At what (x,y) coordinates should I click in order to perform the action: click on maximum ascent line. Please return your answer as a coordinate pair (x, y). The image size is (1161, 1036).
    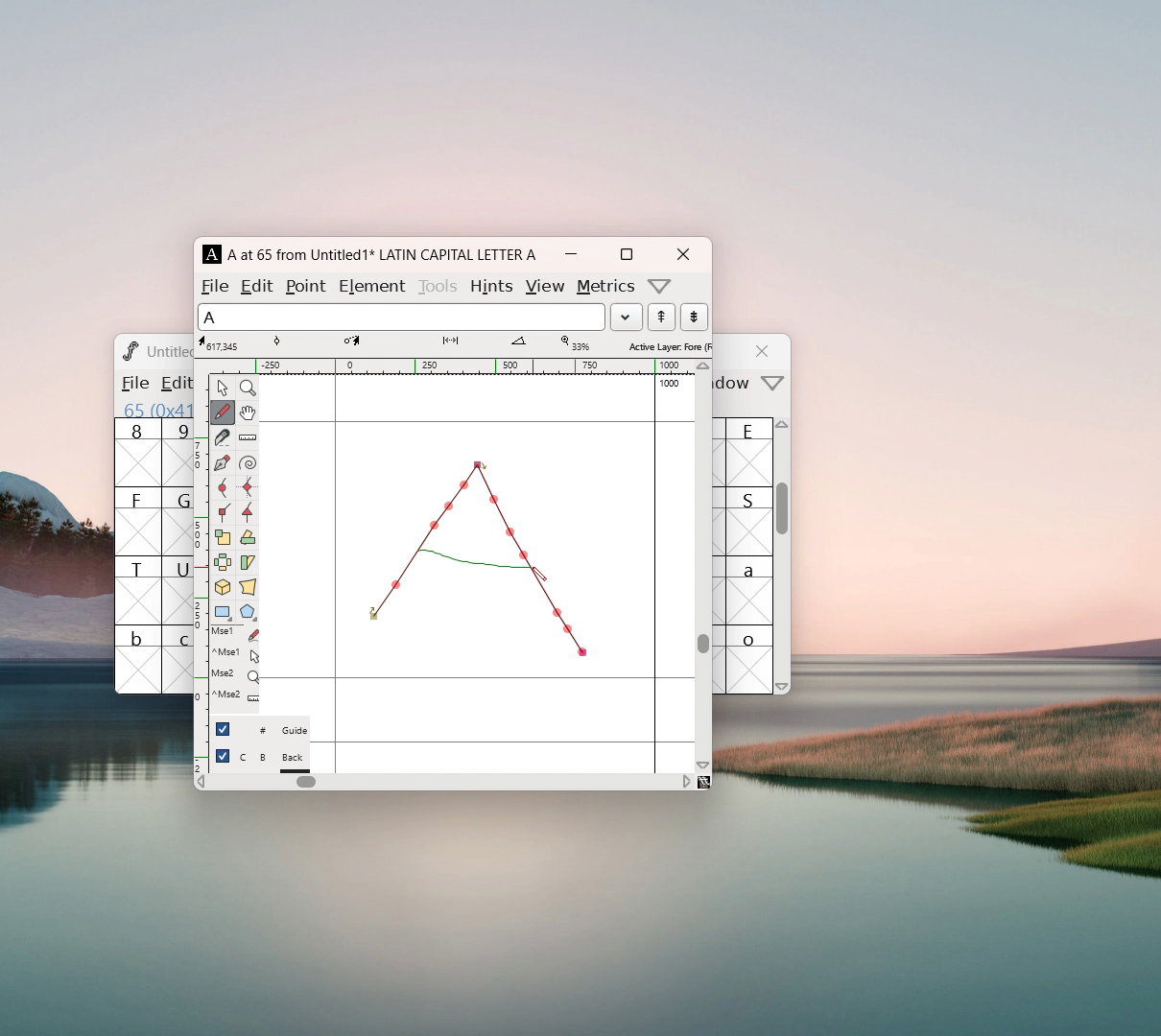
    Looking at the image, I should click on (477, 422).